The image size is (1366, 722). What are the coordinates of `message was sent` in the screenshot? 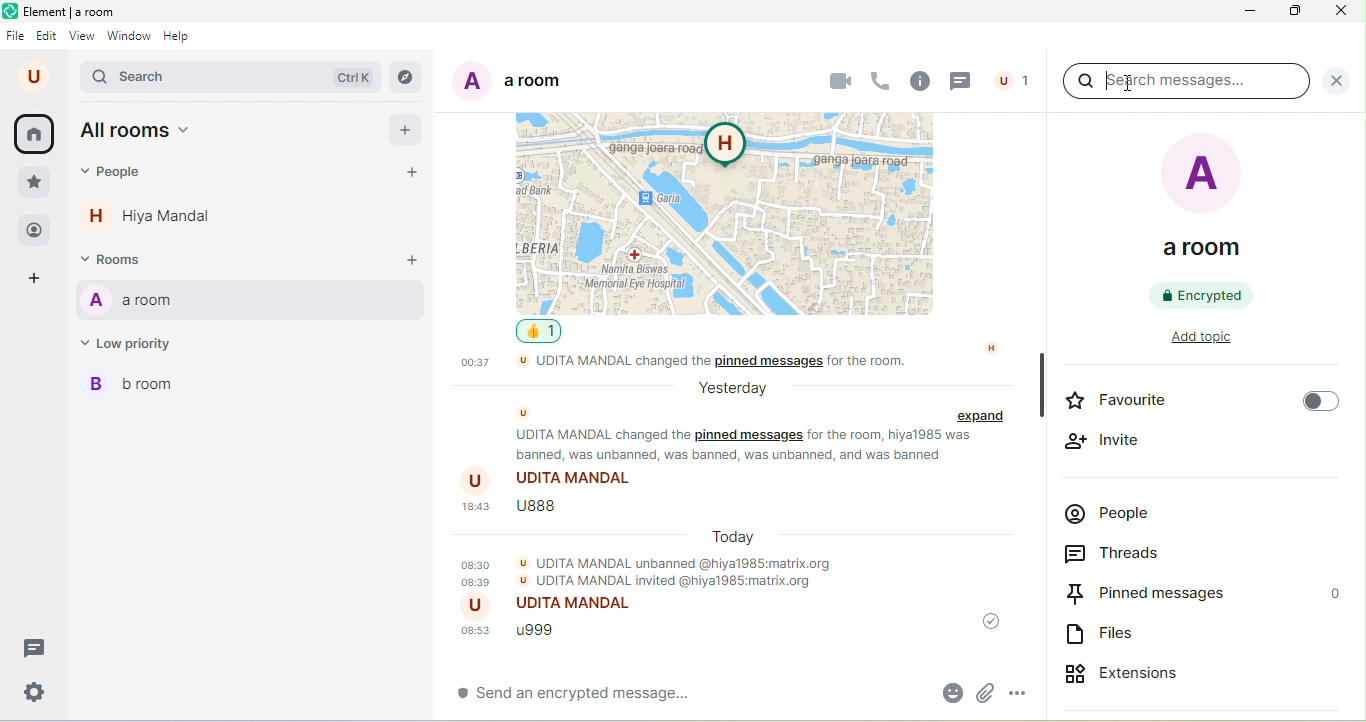 It's located at (986, 622).